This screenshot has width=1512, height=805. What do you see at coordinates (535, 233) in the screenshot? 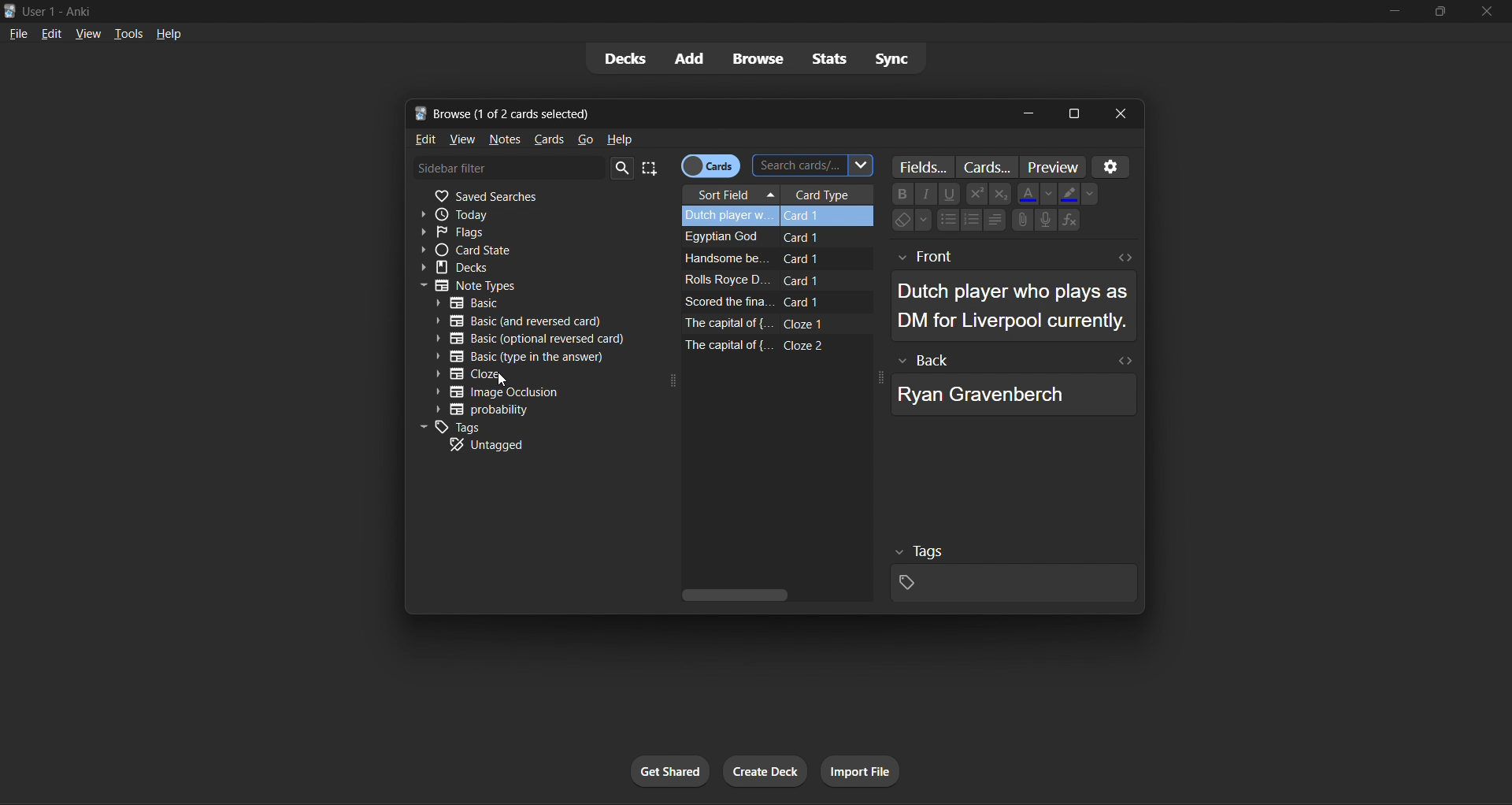
I see `flags filter expand` at bounding box center [535, 233].